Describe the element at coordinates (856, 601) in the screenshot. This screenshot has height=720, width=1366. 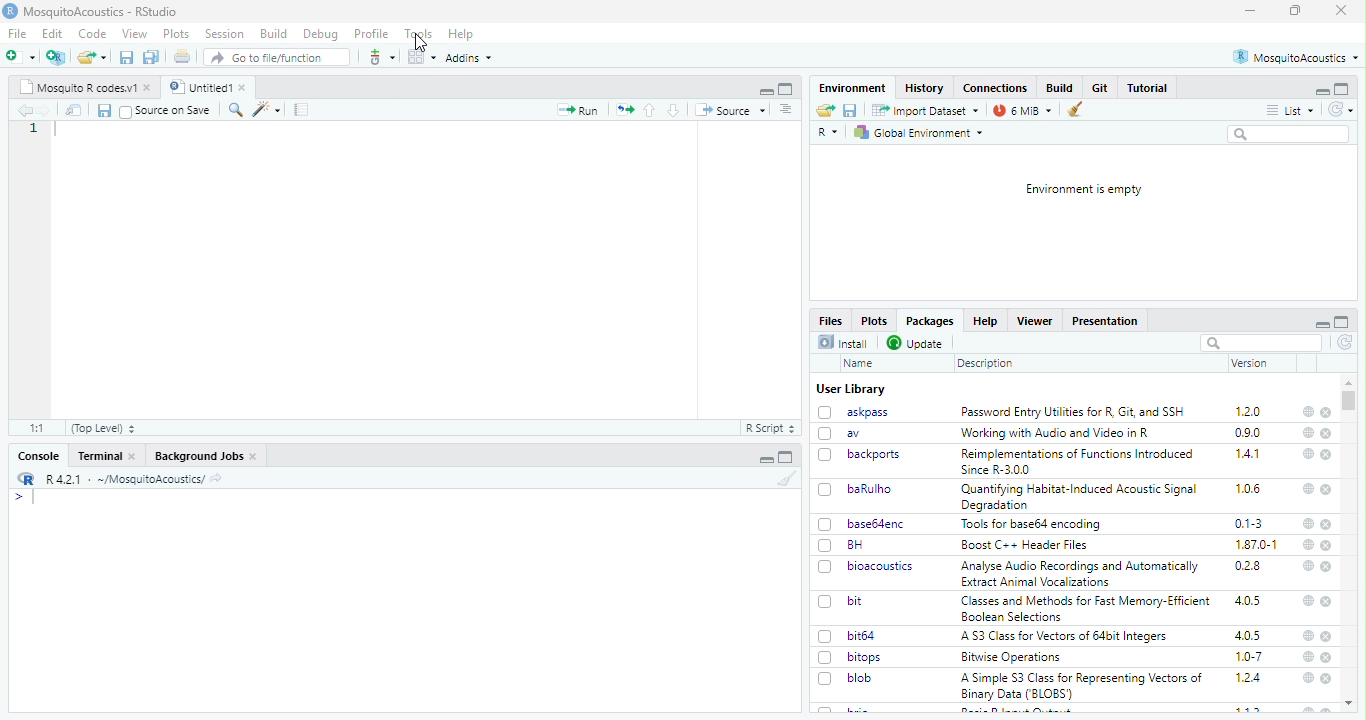
I see `bit` at that location.